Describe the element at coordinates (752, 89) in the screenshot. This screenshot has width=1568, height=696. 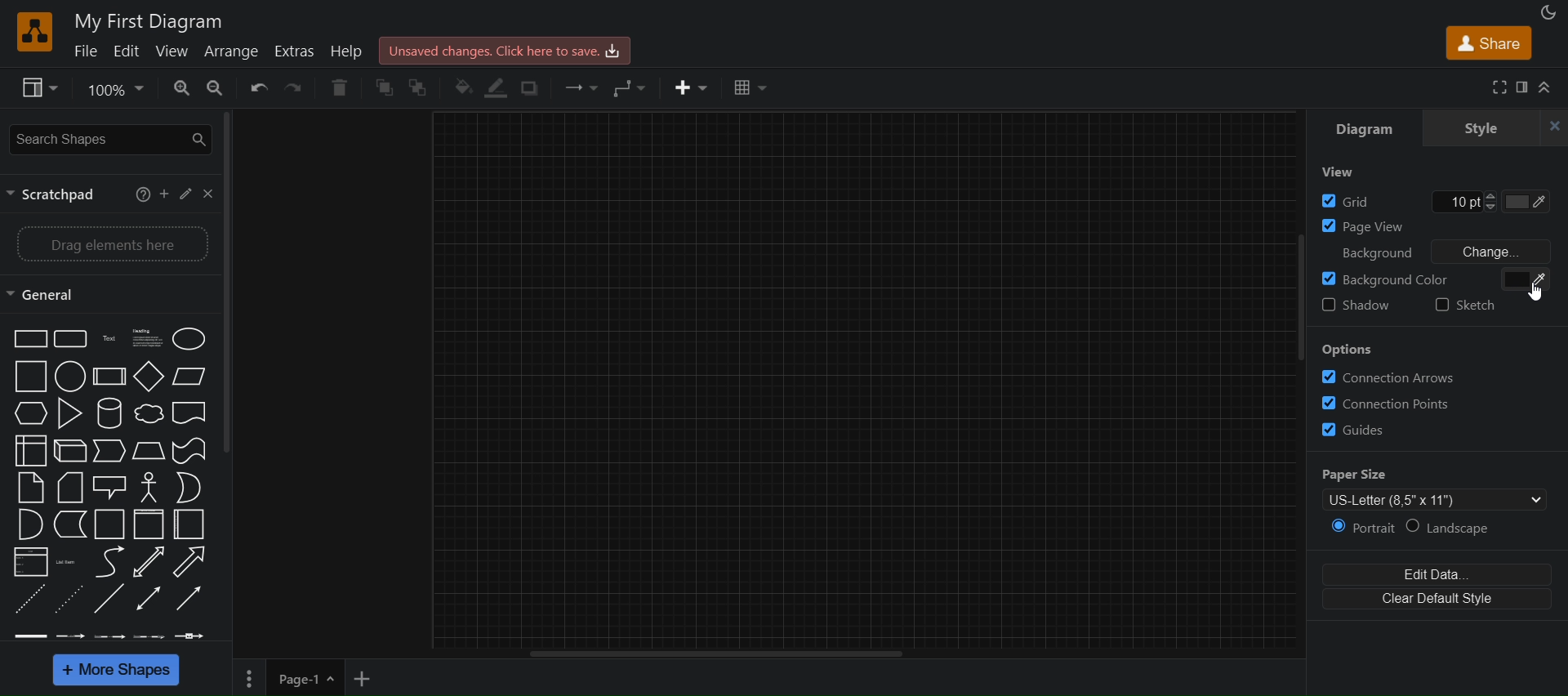
I see `table` at that location.